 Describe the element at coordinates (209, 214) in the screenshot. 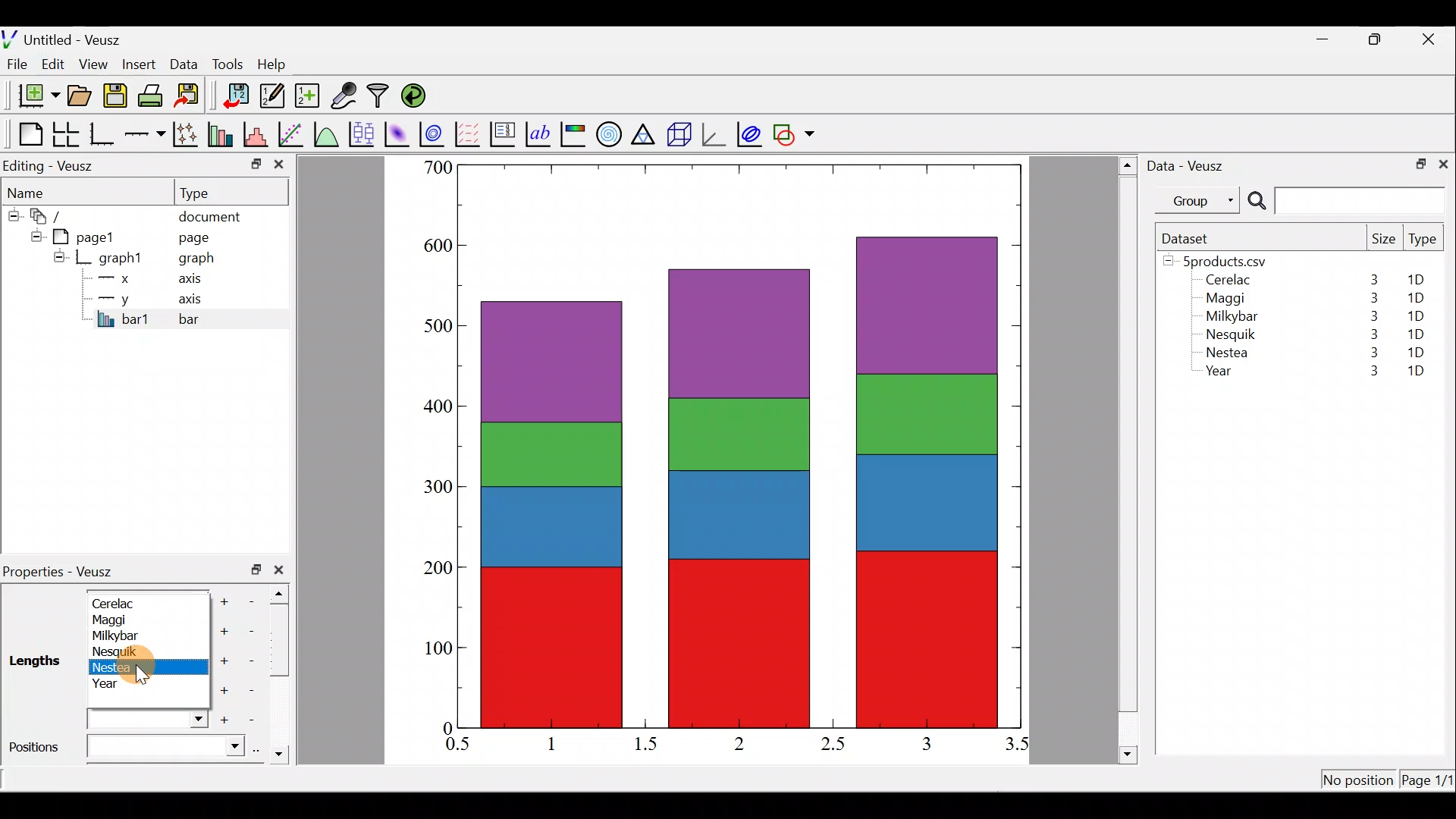

I see `document` at that location.